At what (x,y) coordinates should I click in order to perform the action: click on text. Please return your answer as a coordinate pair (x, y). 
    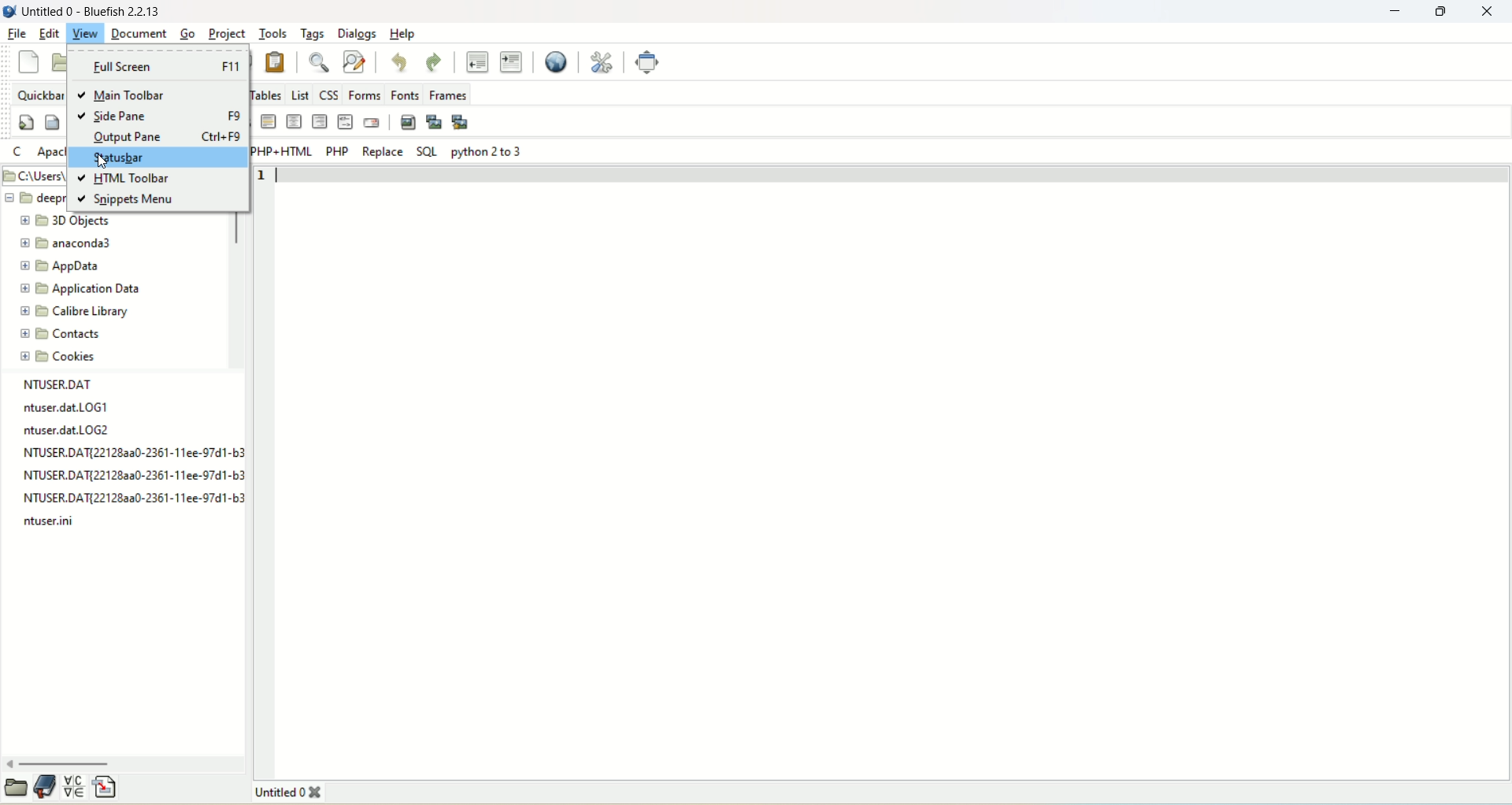
    Looking at the image, I should click on (126, 454).